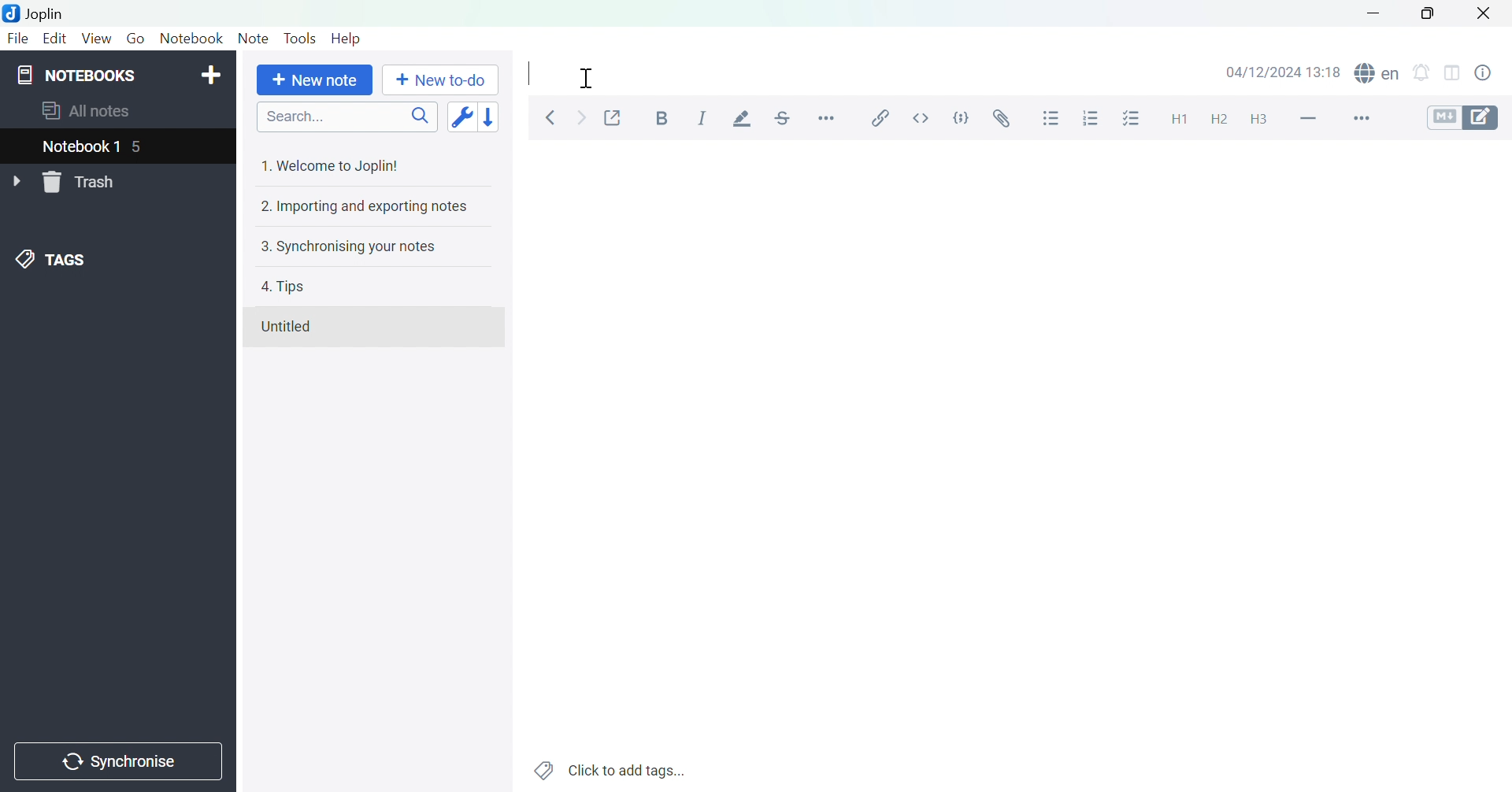 The width and height of the screenshot is (1512, 792). I want to click on aLL NOTES, so click(95, 112).